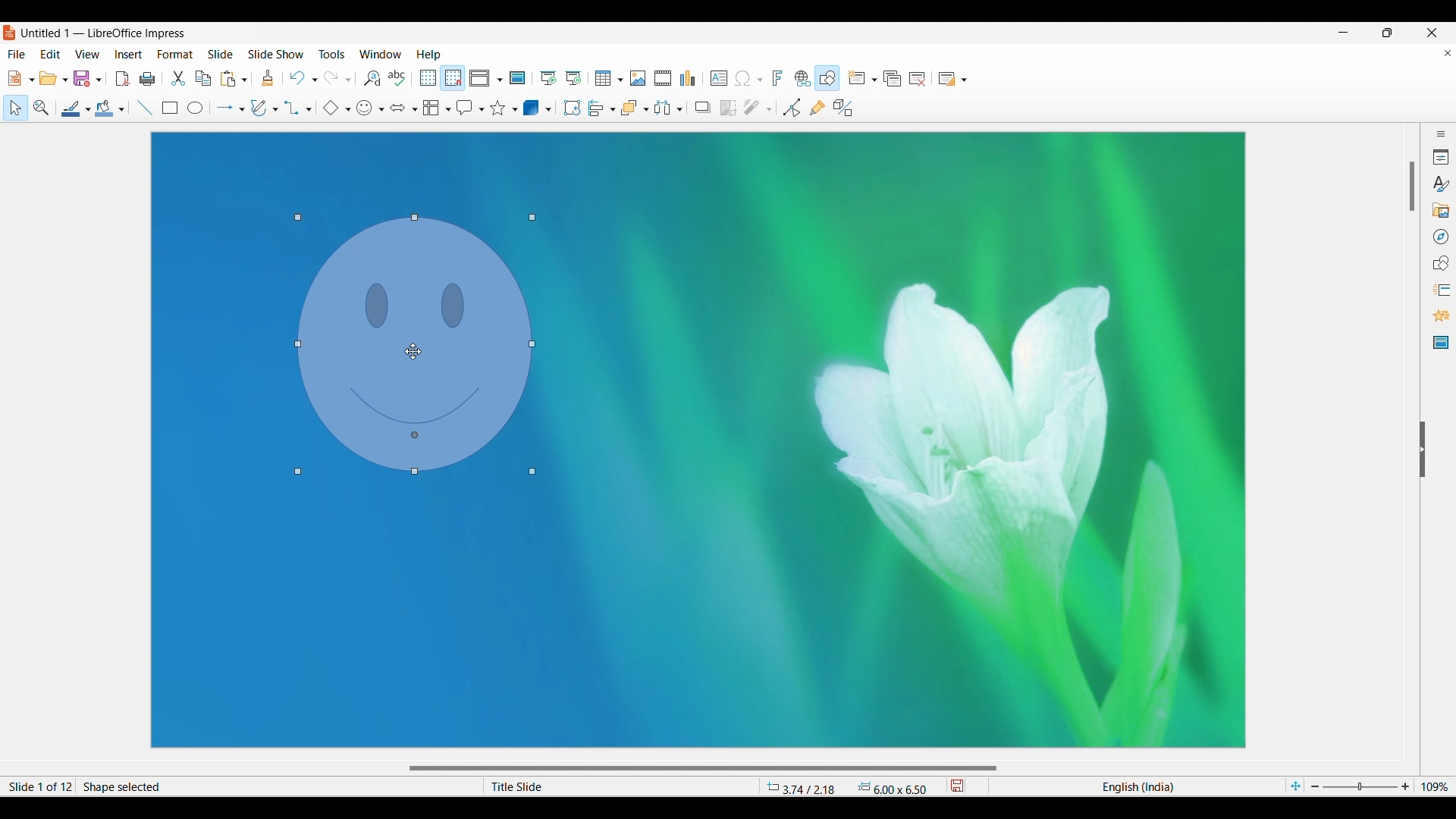 Image resolution: width=1456 pixels, height=819 pixels. What do you see at coordinates (50, 53) in the screenshot?
I see `Edit` at bounding box center [50, 53].